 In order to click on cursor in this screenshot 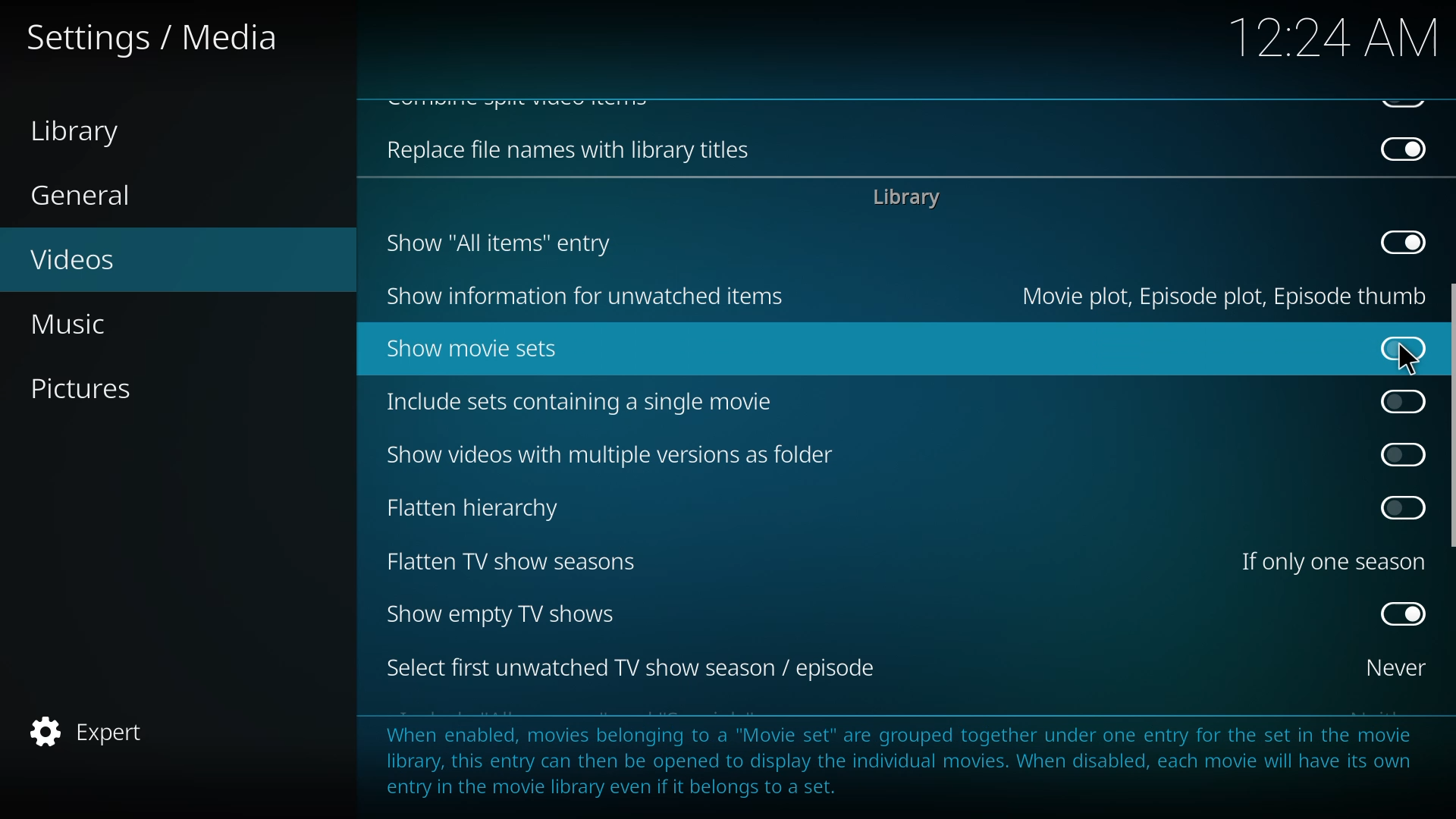, I will do `click(1409, 358)`.